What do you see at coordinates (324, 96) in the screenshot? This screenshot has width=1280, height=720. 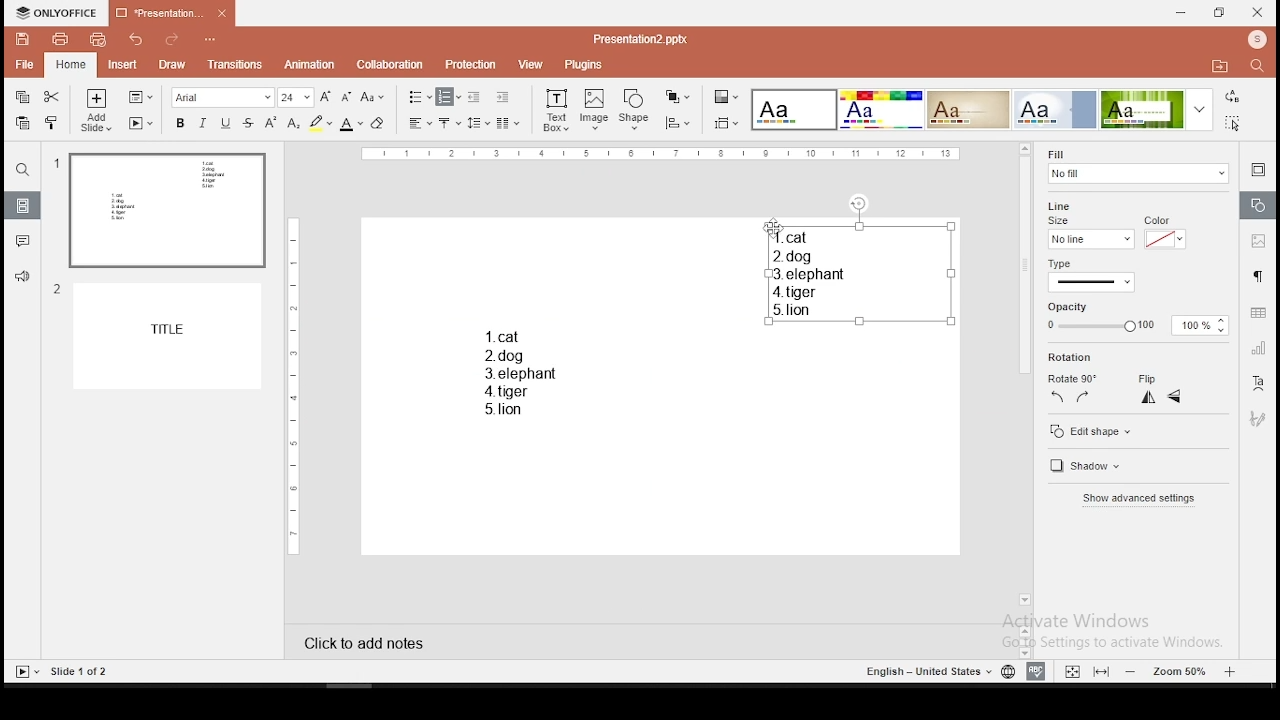 I see `increase font size` at bounding box center [324, 96].